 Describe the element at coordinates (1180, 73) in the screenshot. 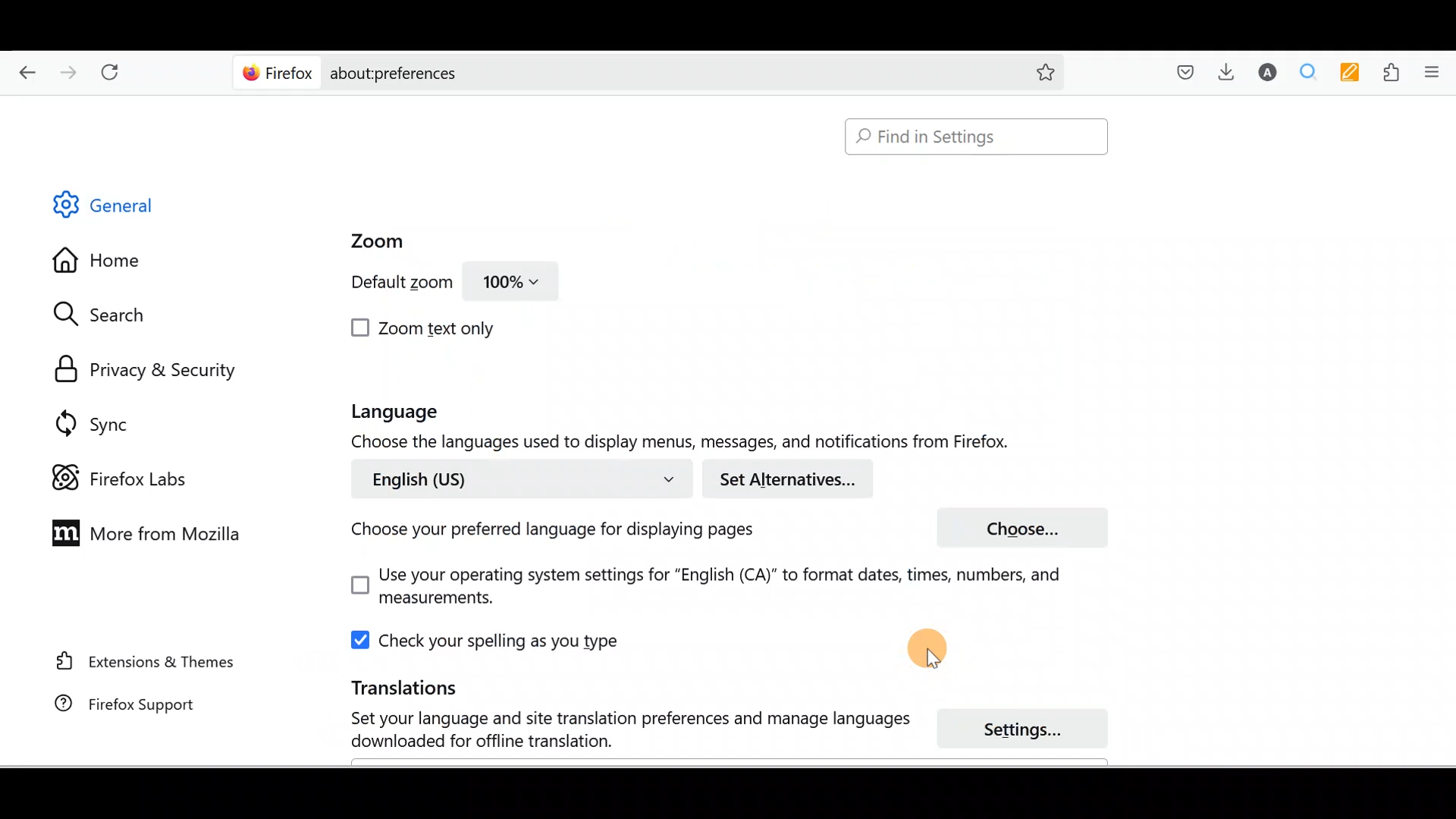

I see `Save to pocket` at that location.